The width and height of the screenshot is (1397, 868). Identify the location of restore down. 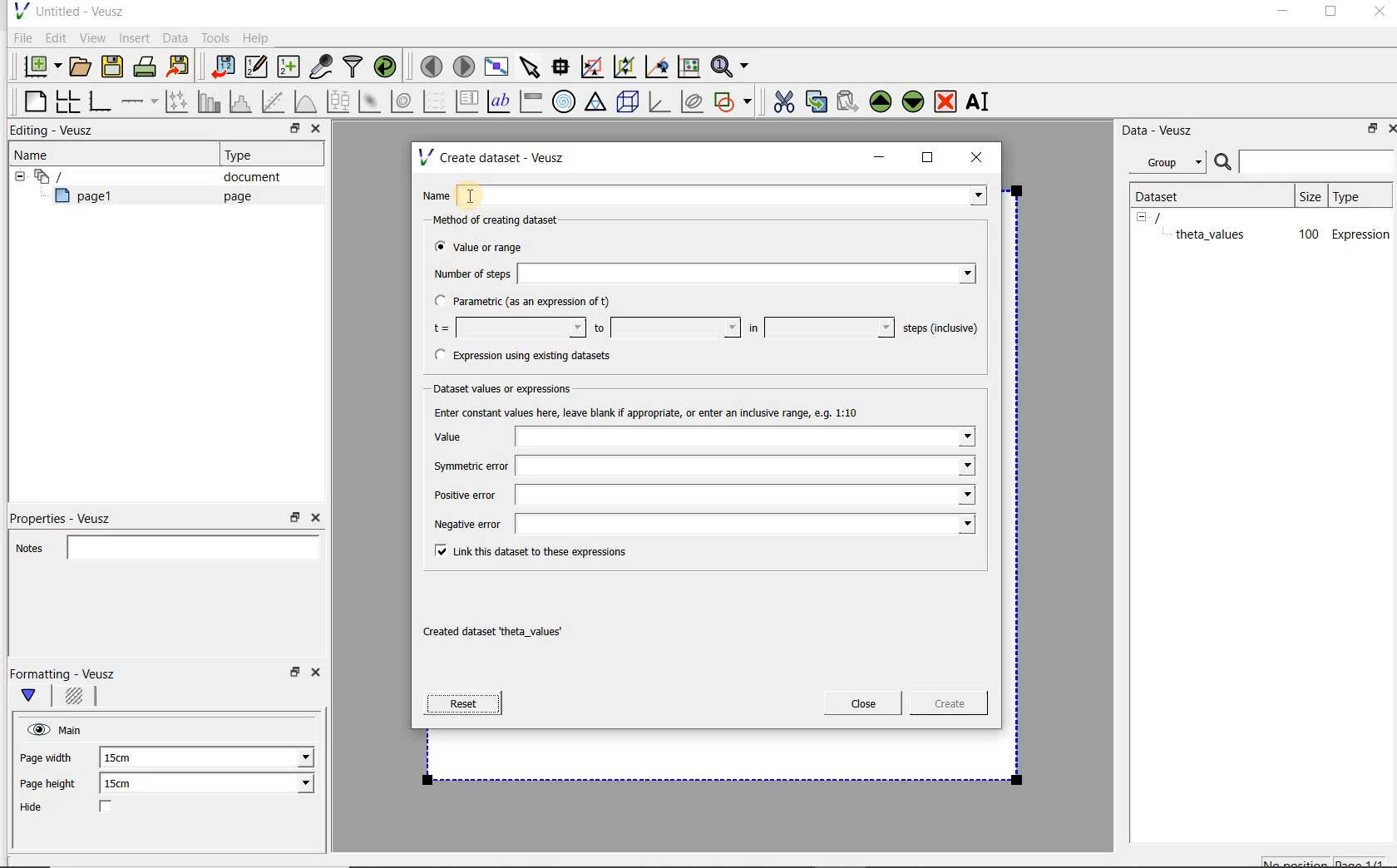
(293, 677).